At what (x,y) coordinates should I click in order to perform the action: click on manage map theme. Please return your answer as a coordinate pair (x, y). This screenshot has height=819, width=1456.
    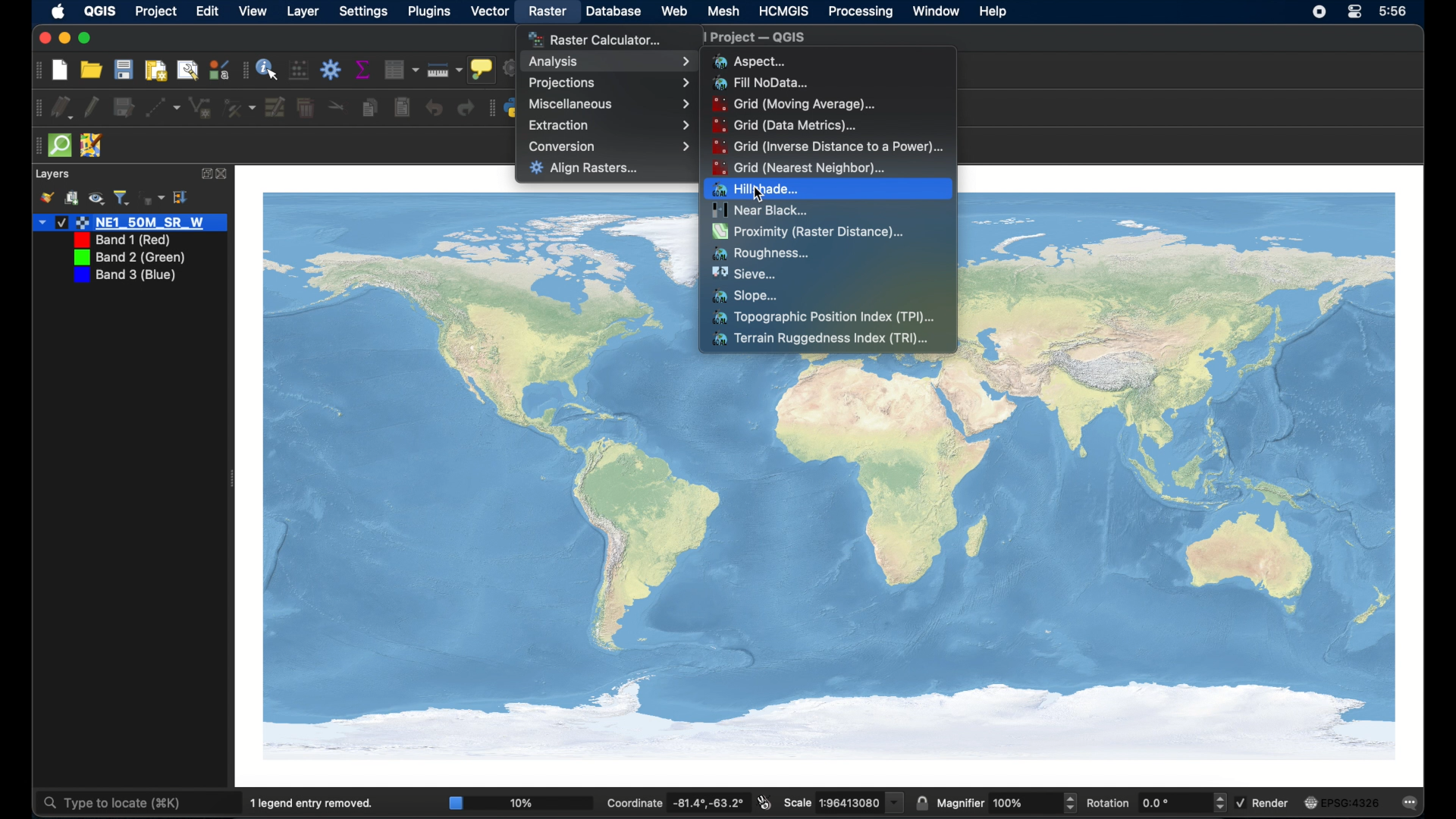
    Looking at the image, I should click on (97, 199).